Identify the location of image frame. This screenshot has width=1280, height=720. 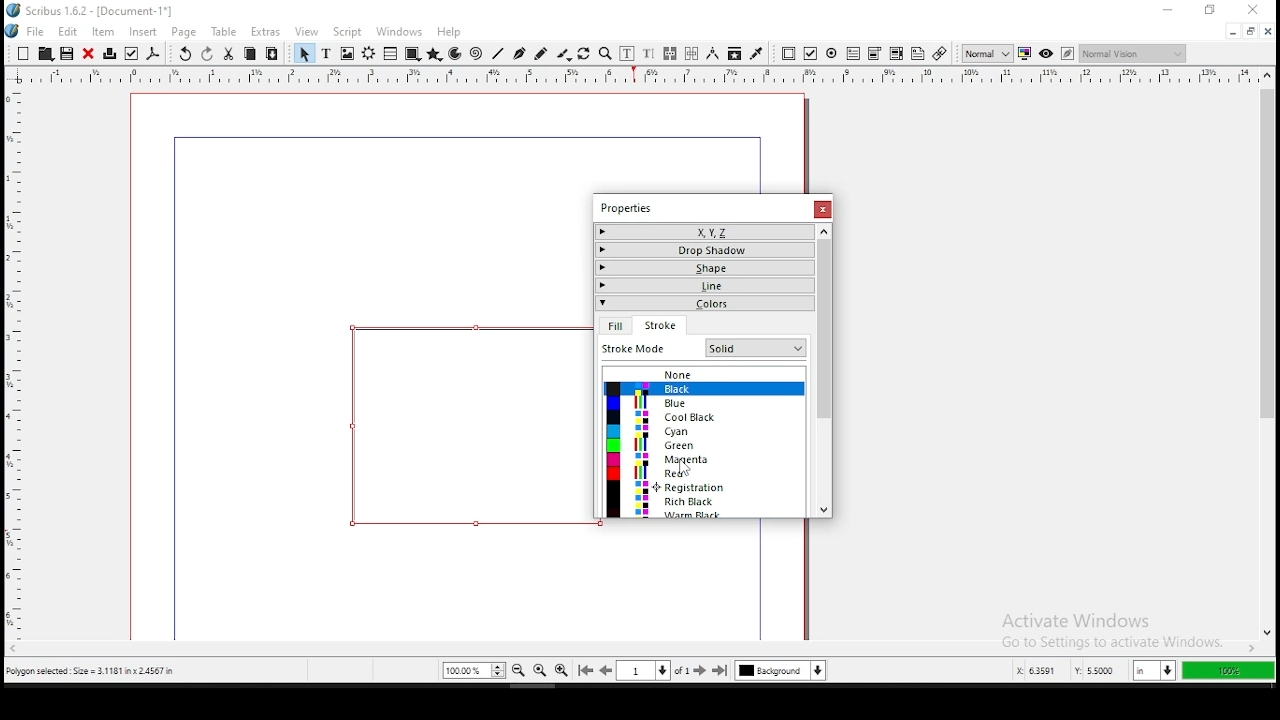
(347, 53).